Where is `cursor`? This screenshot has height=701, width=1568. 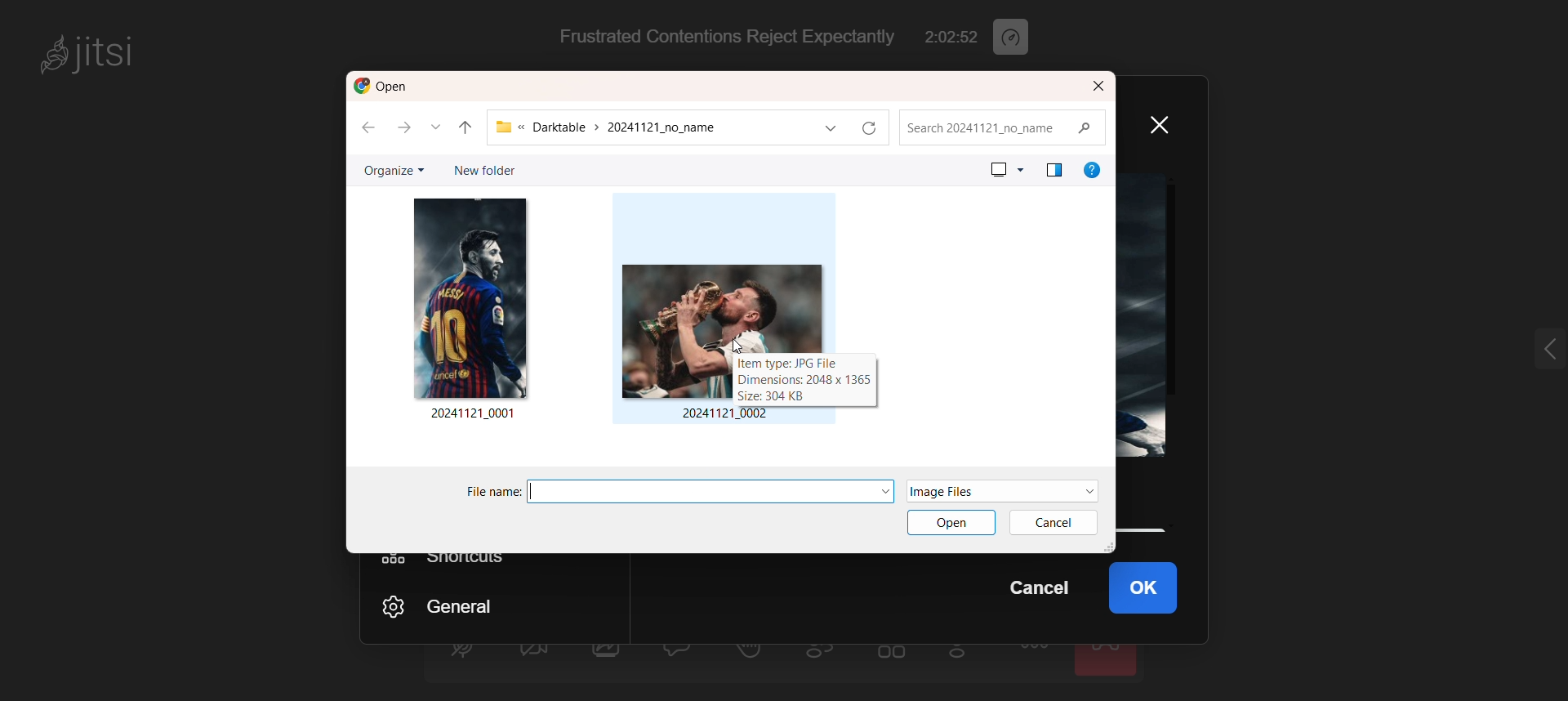
cursor is located at coordinates (733, 344).